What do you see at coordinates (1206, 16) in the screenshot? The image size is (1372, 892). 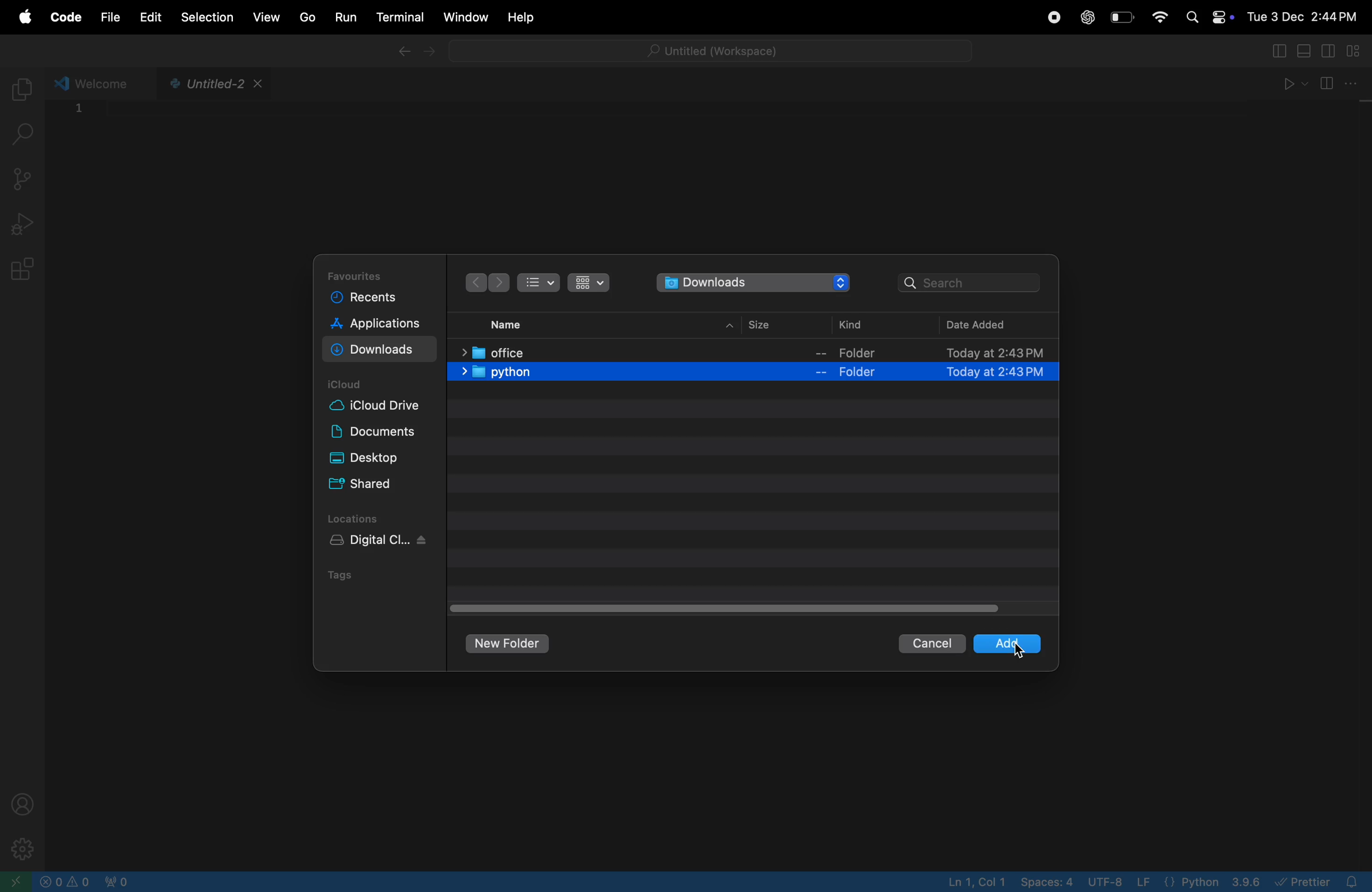 I see `apple widgets` at bounding box center [1206, 16].